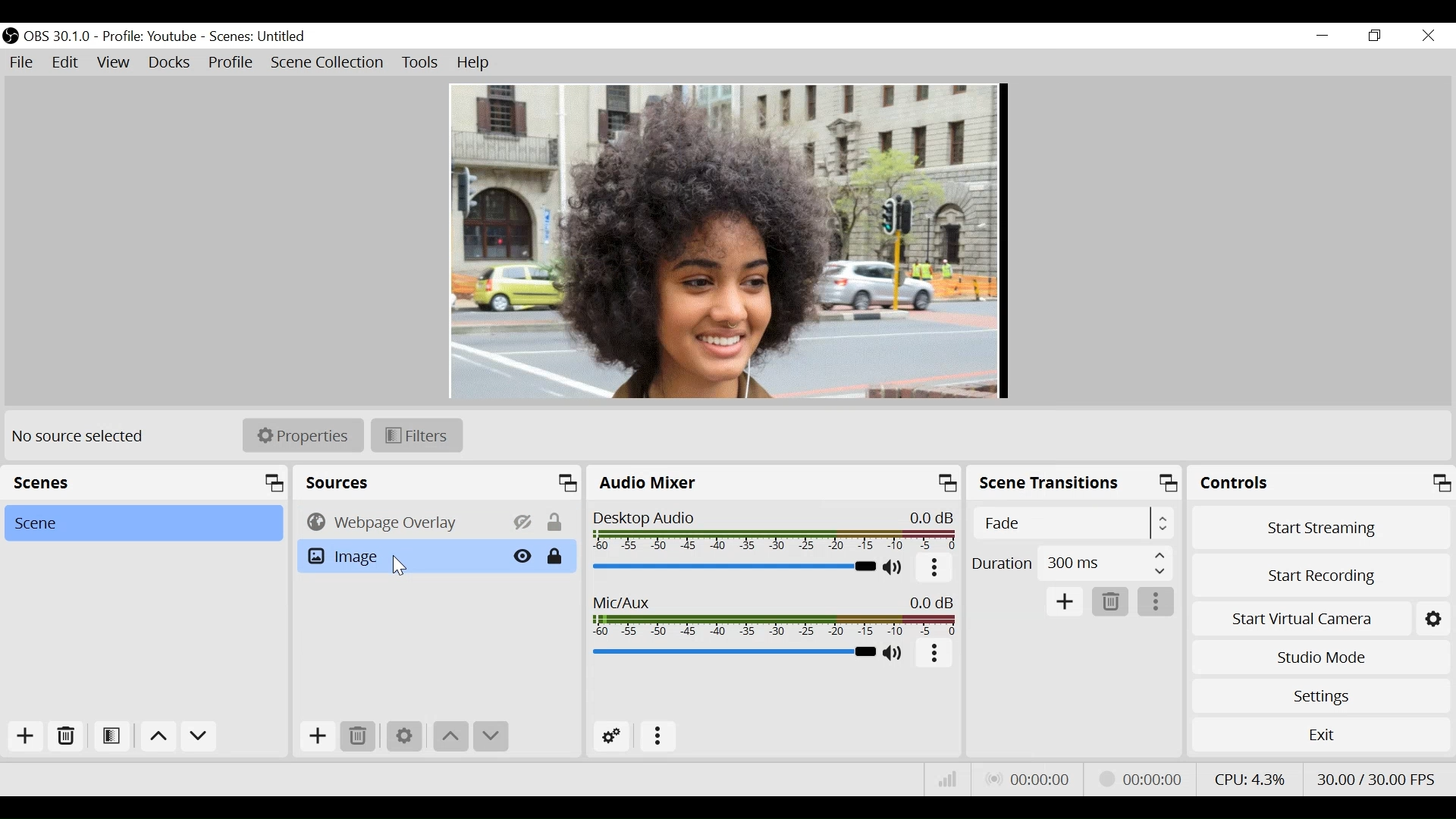  I want to click on File, so click(22, 62).